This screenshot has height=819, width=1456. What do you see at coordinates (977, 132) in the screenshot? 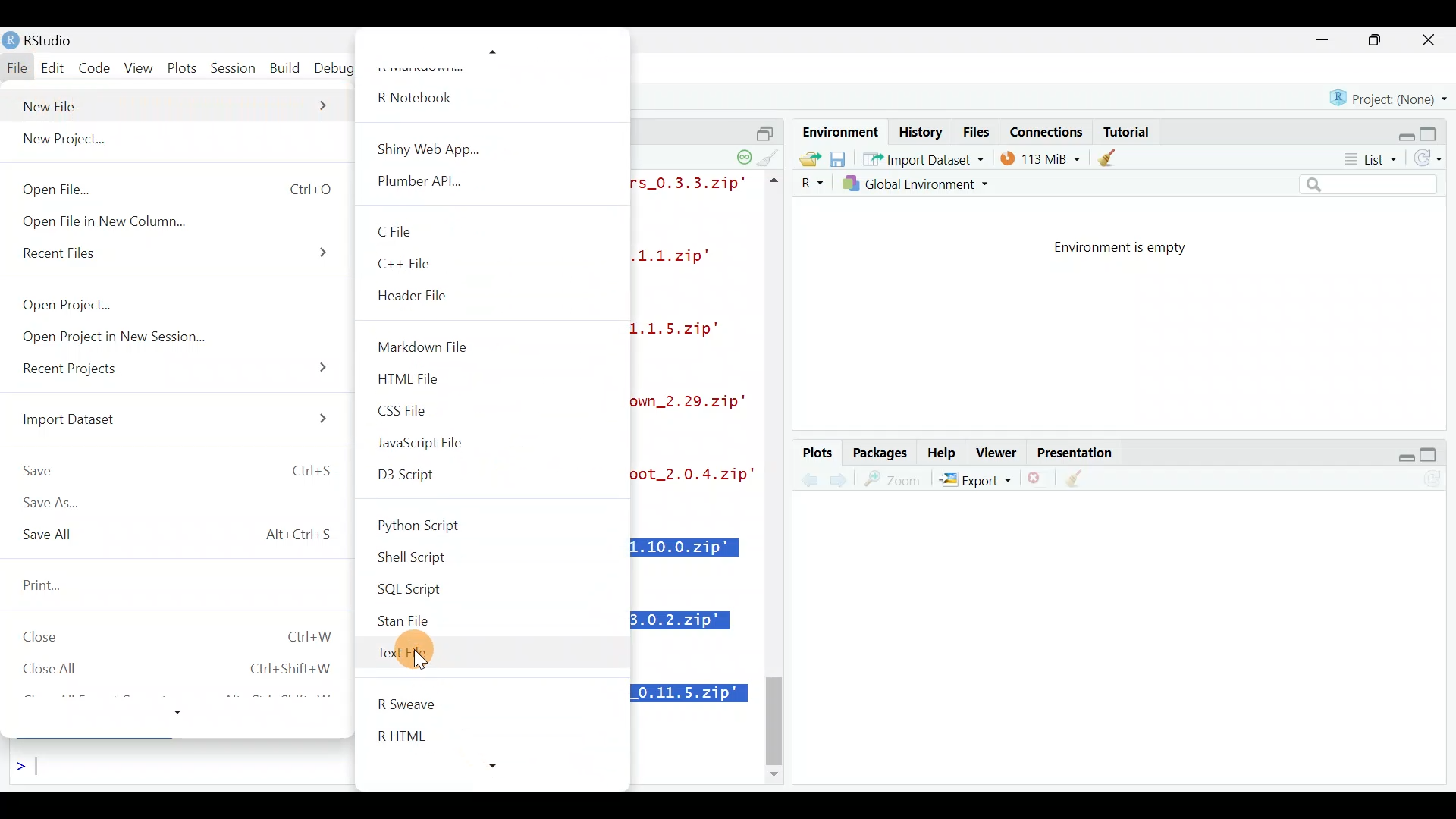
I see `Files` at bounding box center [977, 132].